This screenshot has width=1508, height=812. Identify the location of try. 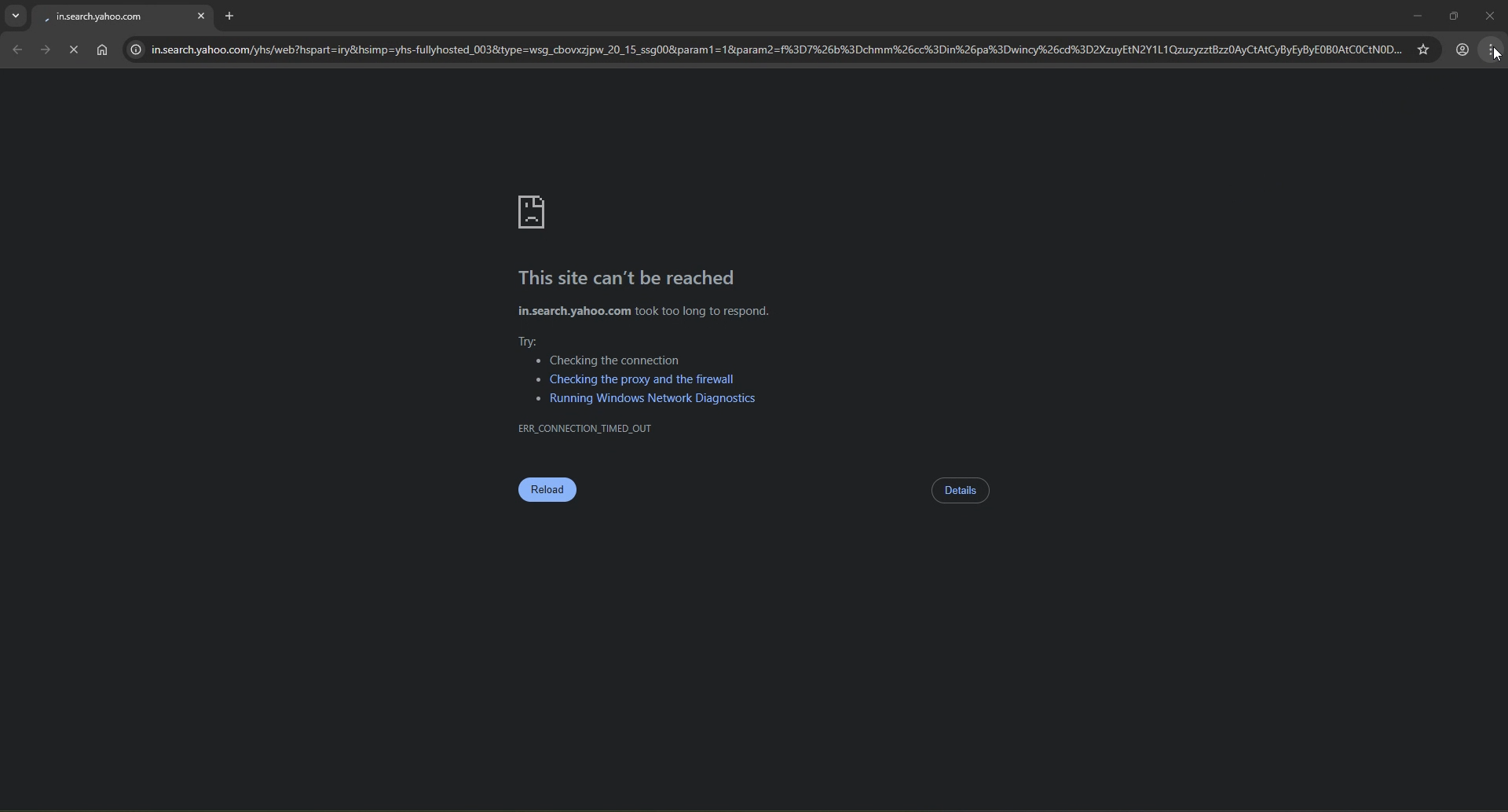
(533, 340).